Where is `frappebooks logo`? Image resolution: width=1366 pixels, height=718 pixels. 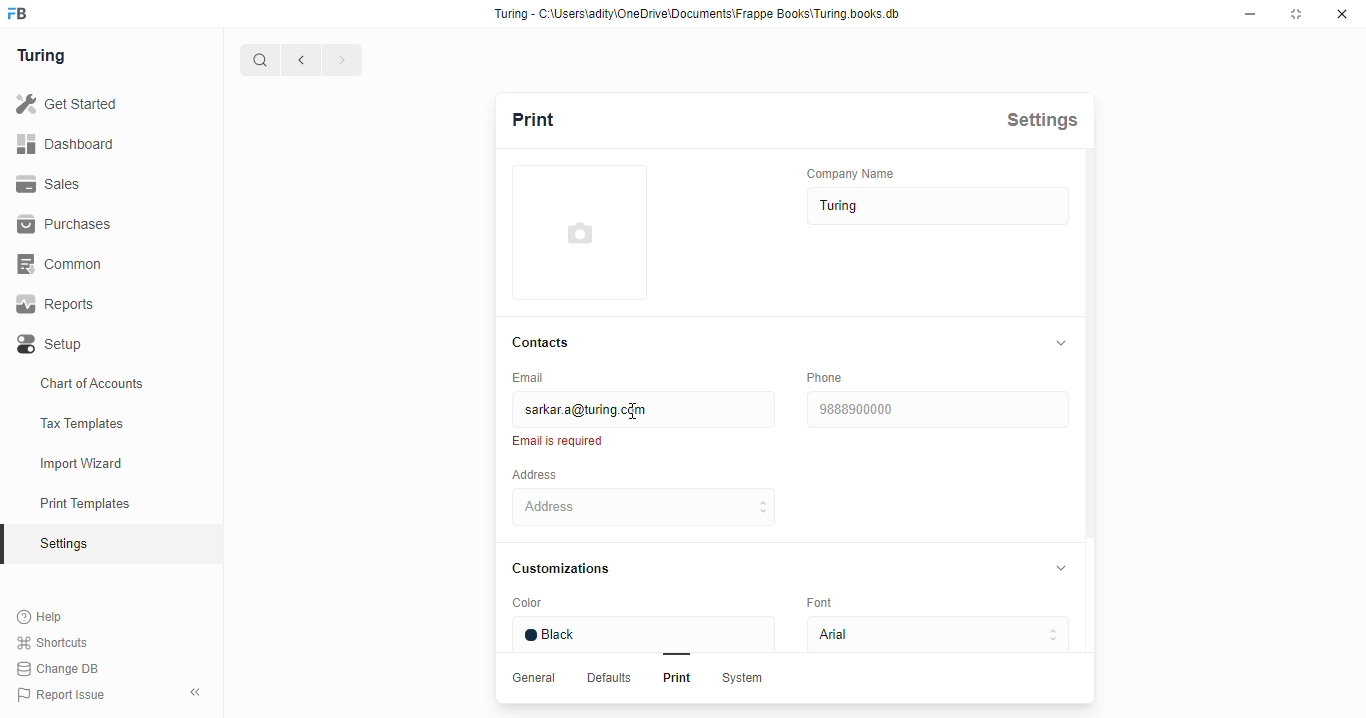 frappebooks logo is located at coordinates (26, 14).